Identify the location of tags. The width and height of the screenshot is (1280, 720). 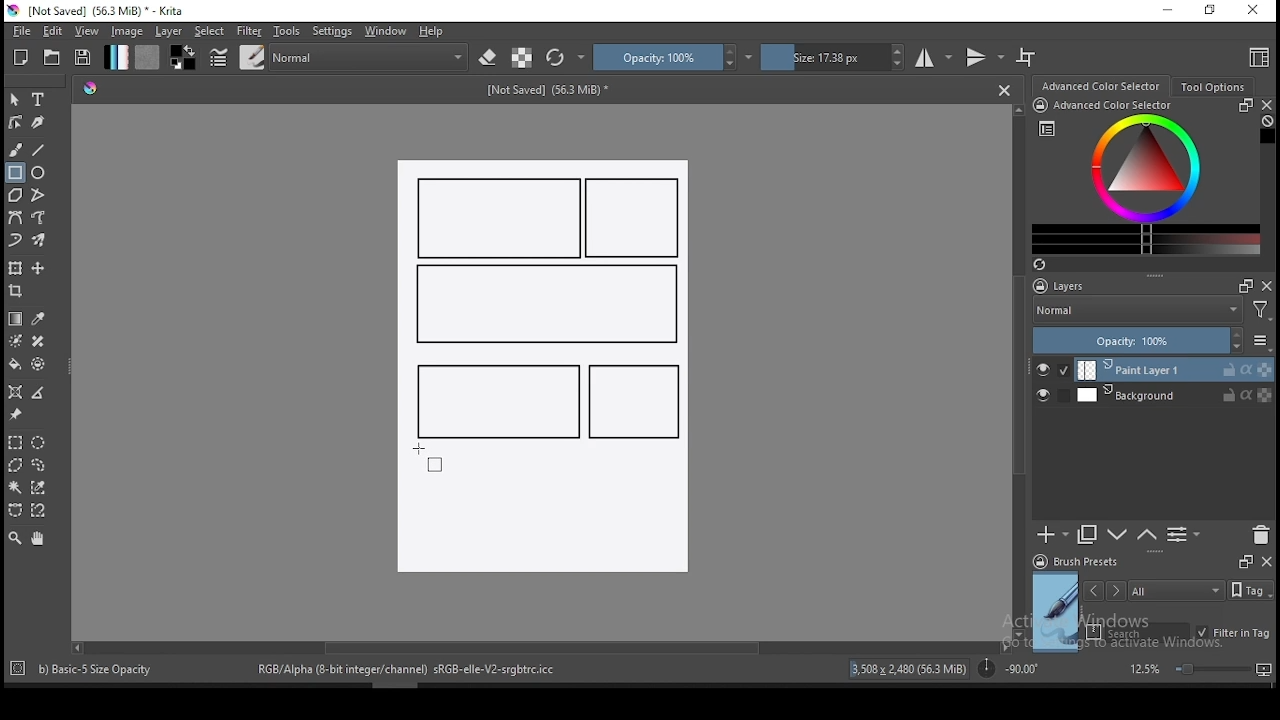
(1176, 590).